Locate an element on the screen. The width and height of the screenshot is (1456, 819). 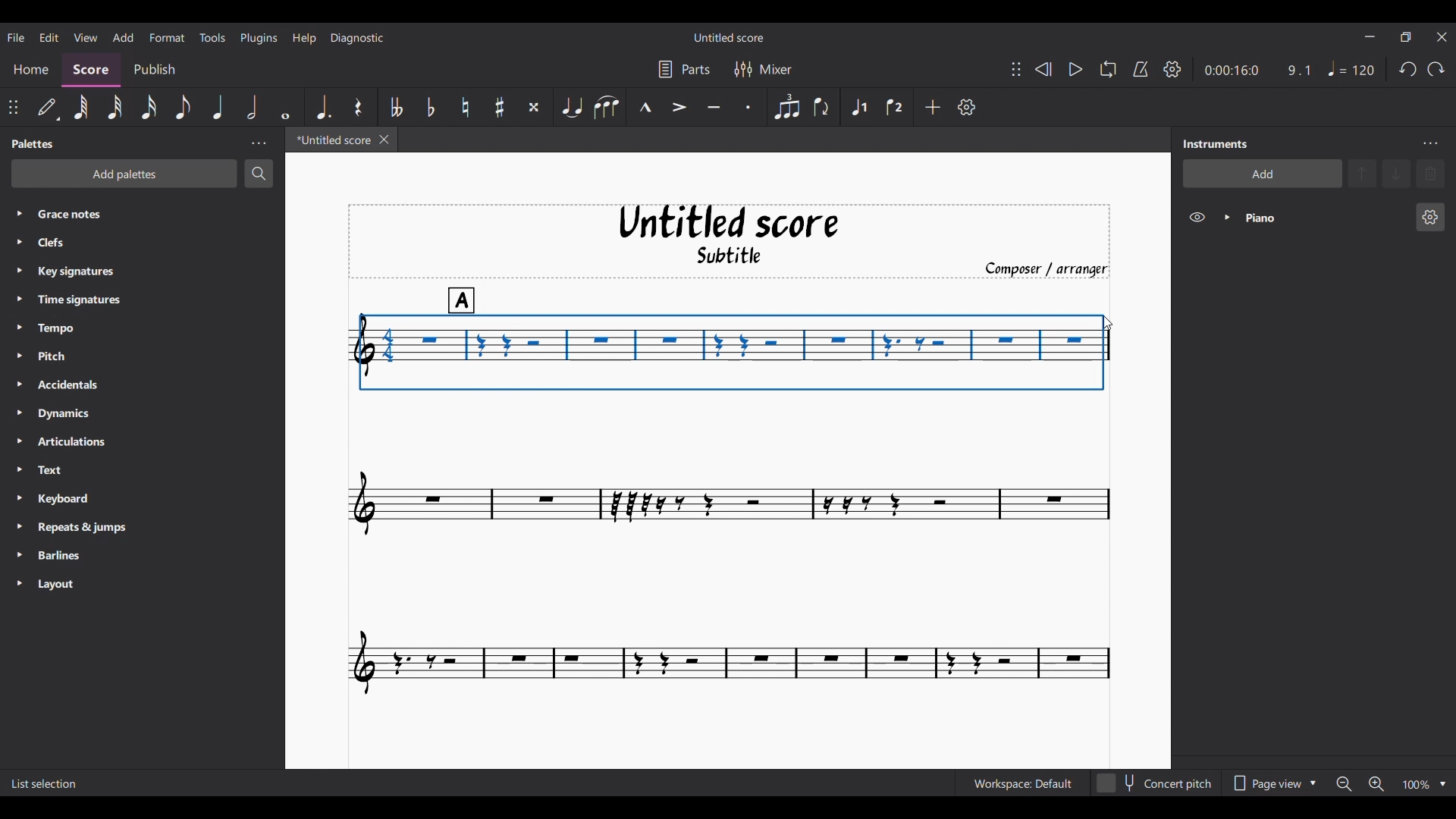
Pitch is located at coordinates (86, 355).